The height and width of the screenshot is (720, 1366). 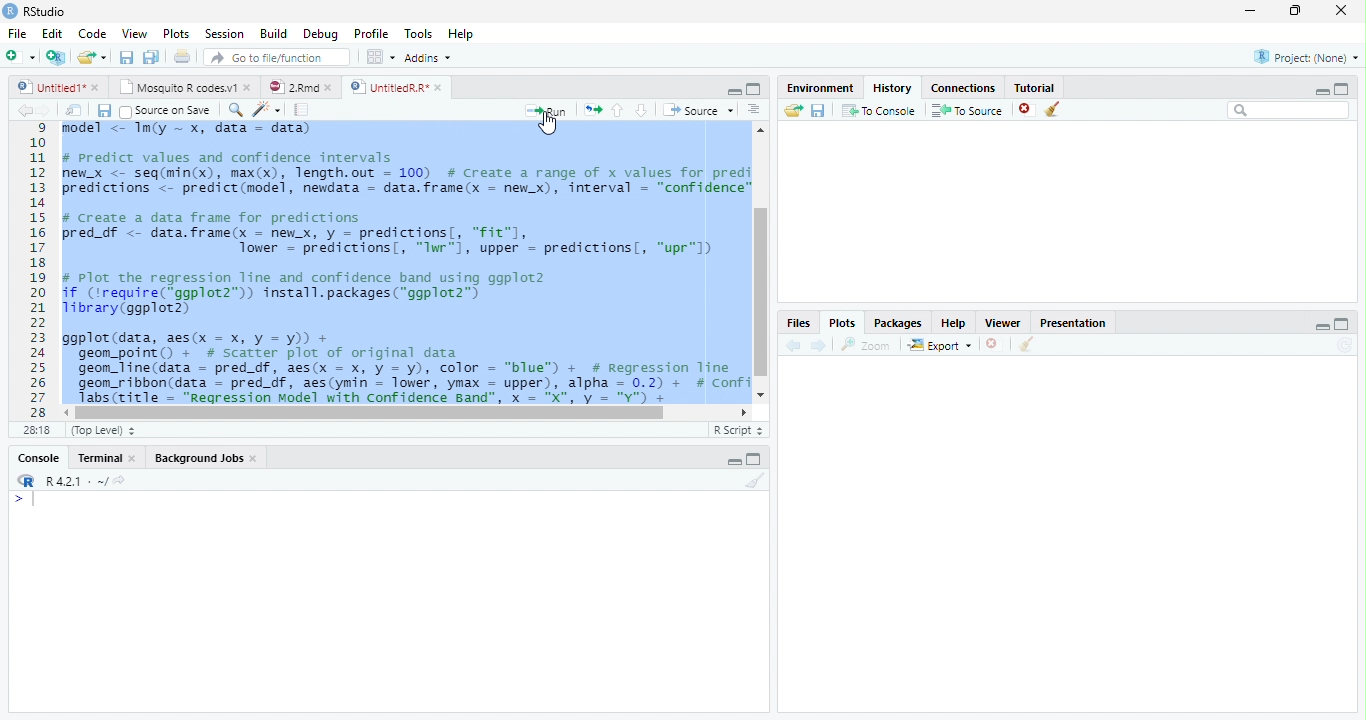 What do you see at coordinates (15, 500) in the screenshot?
I see `>` at bounding box center [15, 500].